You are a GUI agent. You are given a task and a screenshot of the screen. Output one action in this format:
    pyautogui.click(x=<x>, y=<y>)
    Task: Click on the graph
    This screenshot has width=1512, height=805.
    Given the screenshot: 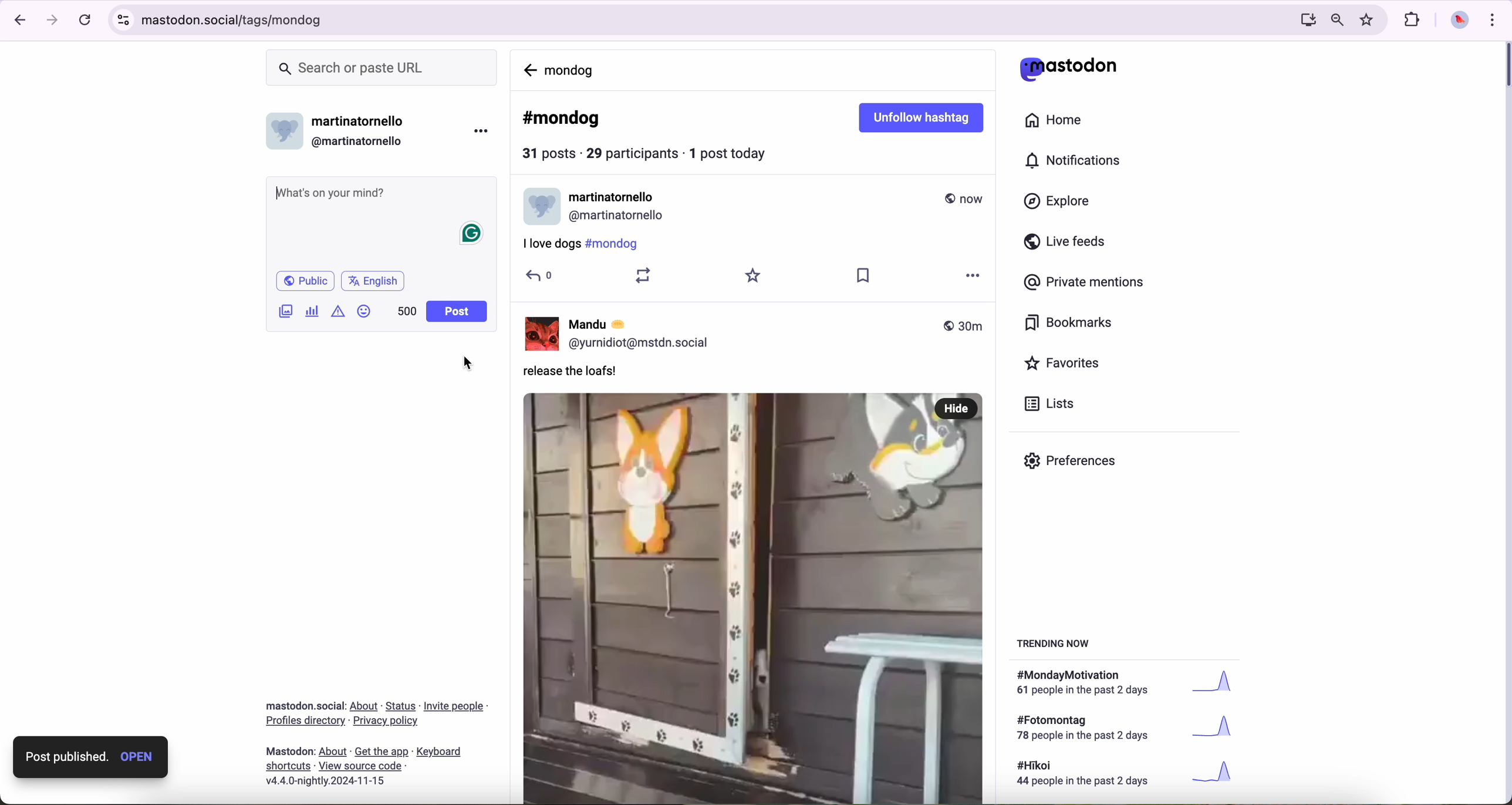 What is the action you would take?
    pyautogui.click(x=1221, y=685)
    